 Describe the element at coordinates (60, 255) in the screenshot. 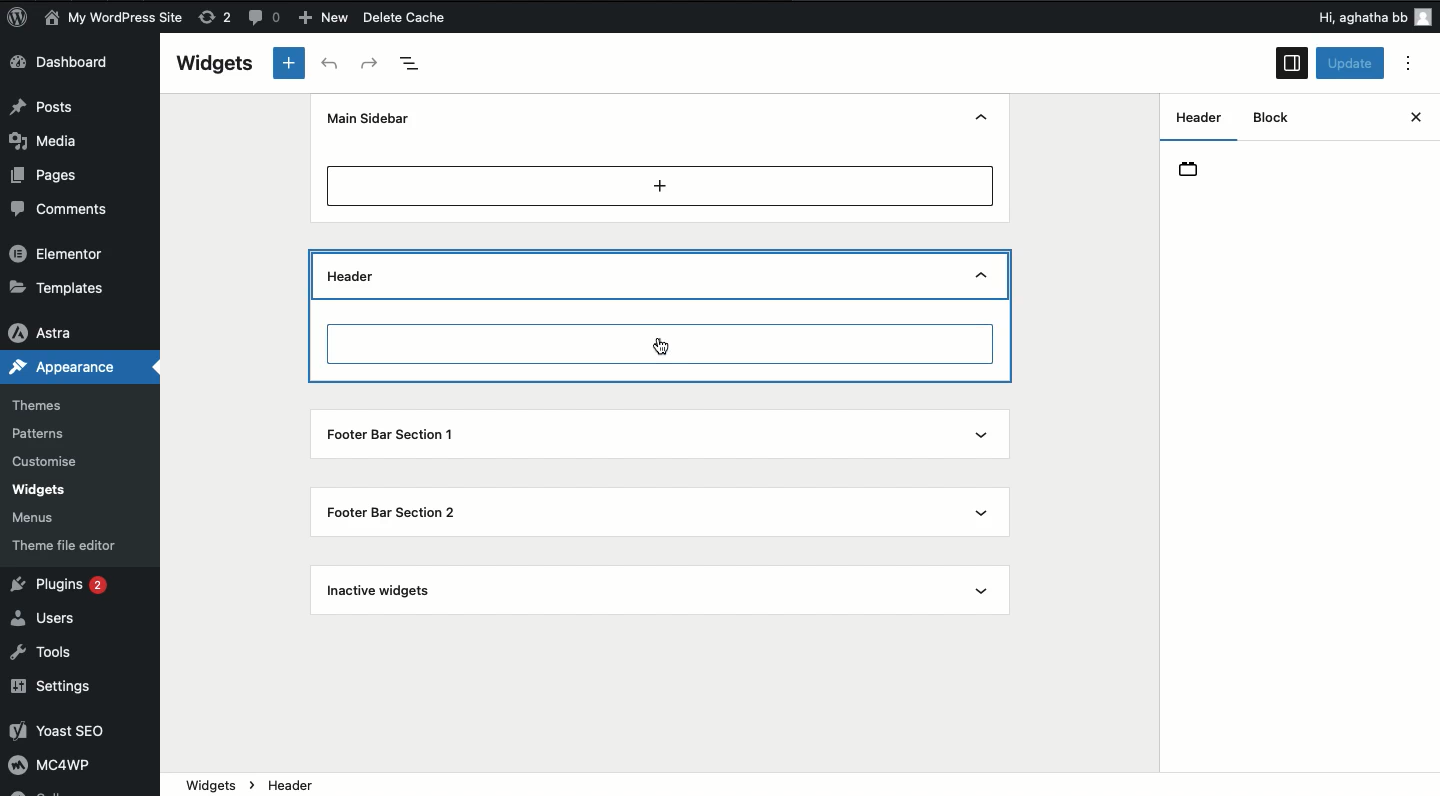

I see `Elementor` at that location.